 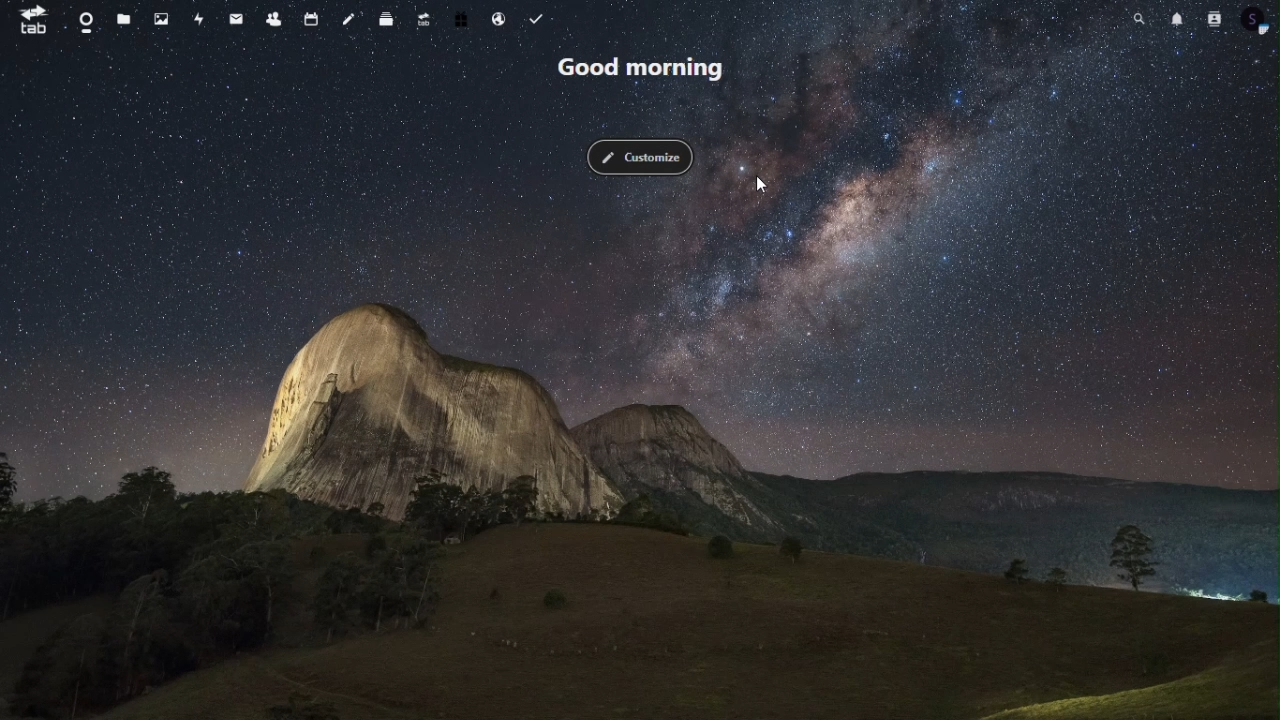 What do you see at coordinates (384, 21) in the screenshot?
I see `deck` at bounding box center [384, 21].